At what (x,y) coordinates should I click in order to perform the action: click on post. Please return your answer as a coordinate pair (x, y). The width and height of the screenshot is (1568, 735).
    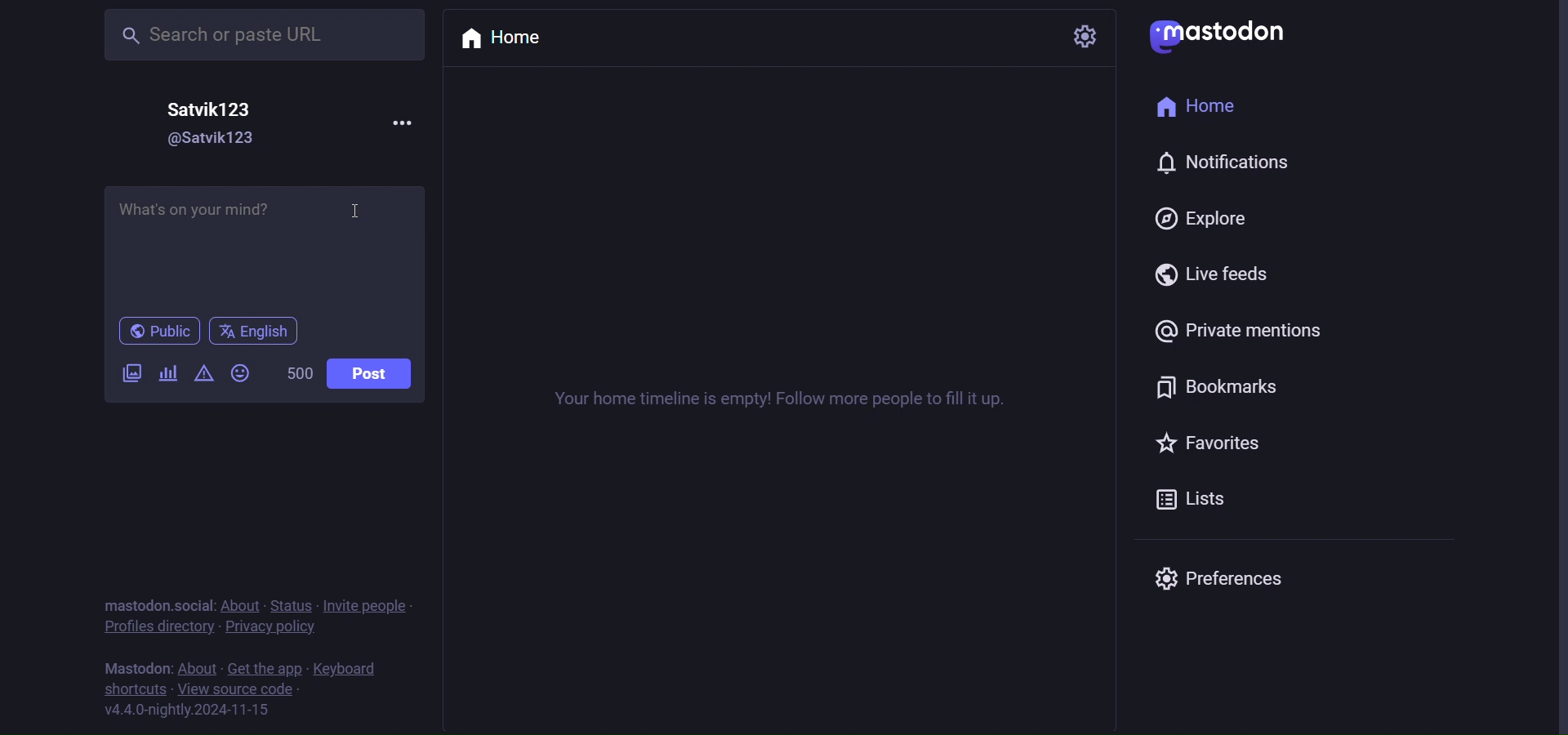
    Looking at the image, I should click on (369, 376).